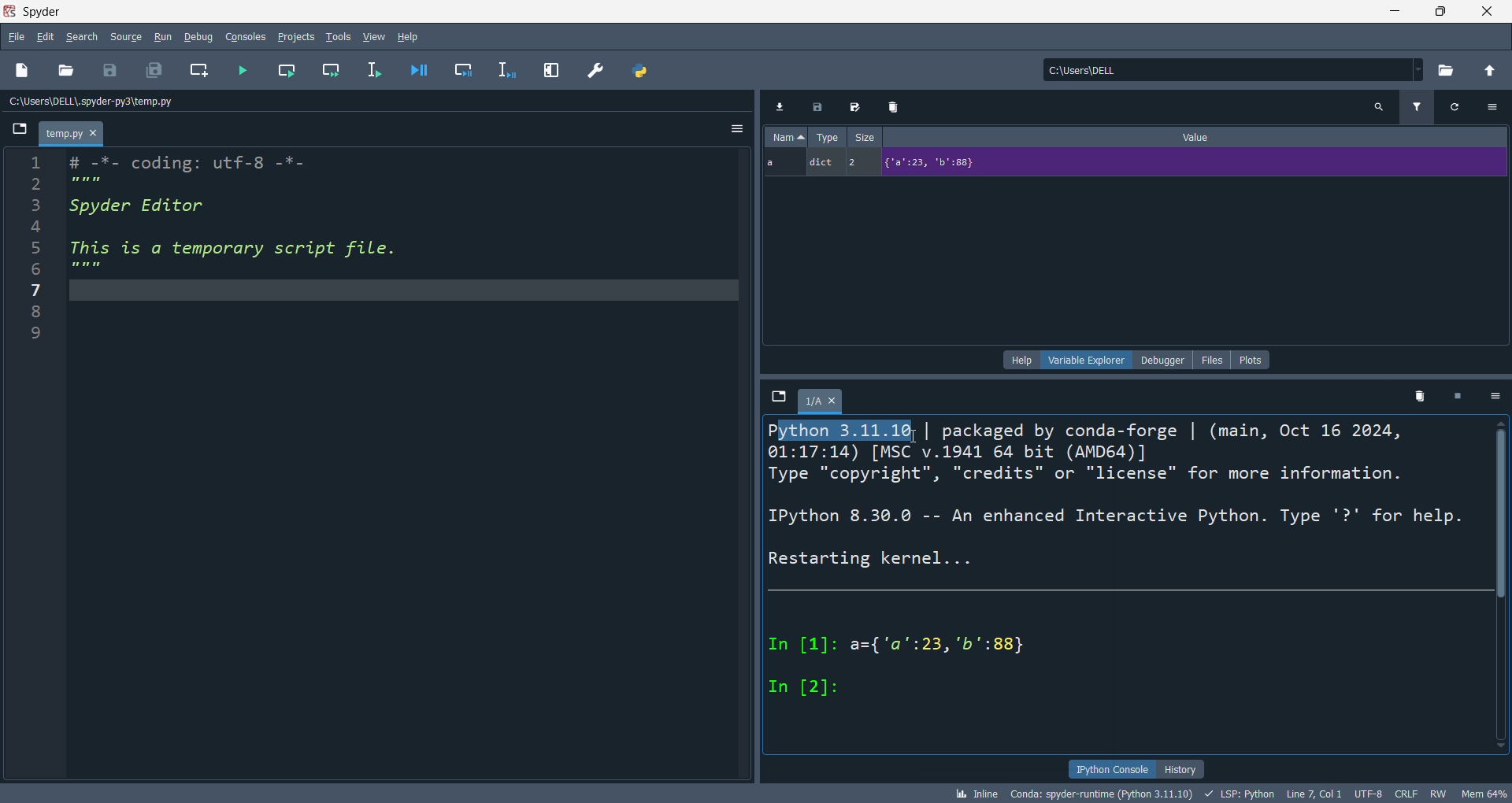 This screenshot has width=1512, height=803. What do you see at coordinates (858, 105) in the screenshot?
I see `savedata as` at bounding box center [858, 105].